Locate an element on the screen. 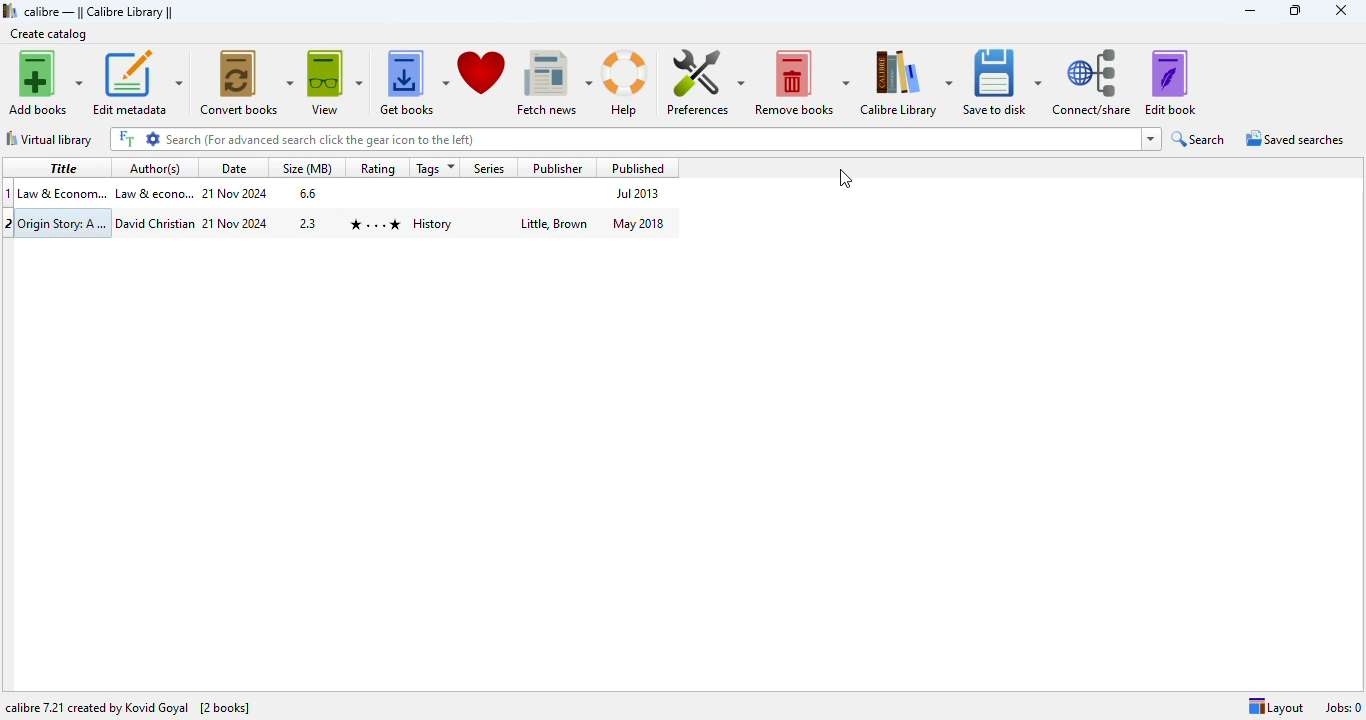  book 1 is located at coordinates (336, 192).